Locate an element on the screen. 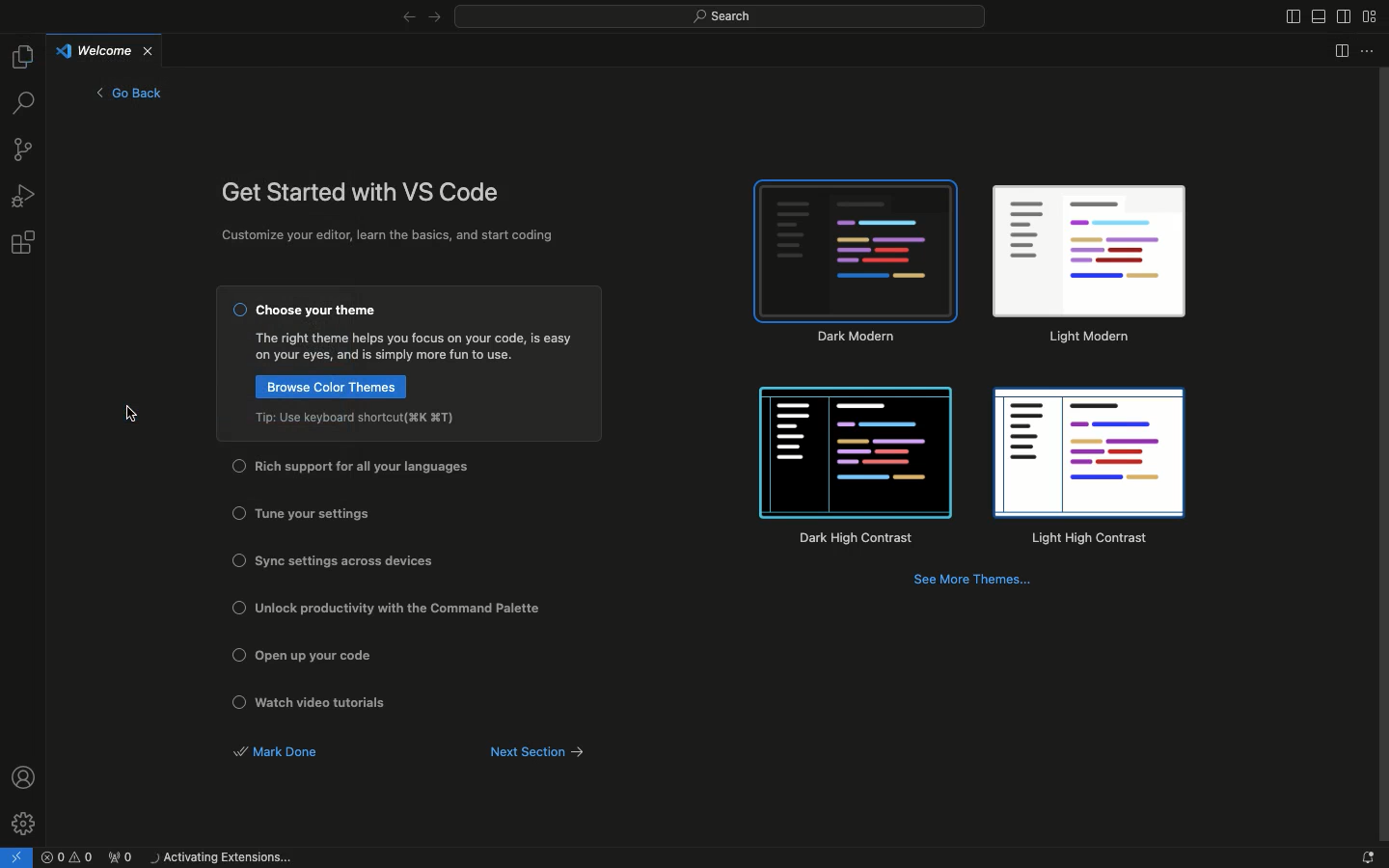 This screenshot has height=868, width=1389. Light modem is located at coordinates (1088, 266).